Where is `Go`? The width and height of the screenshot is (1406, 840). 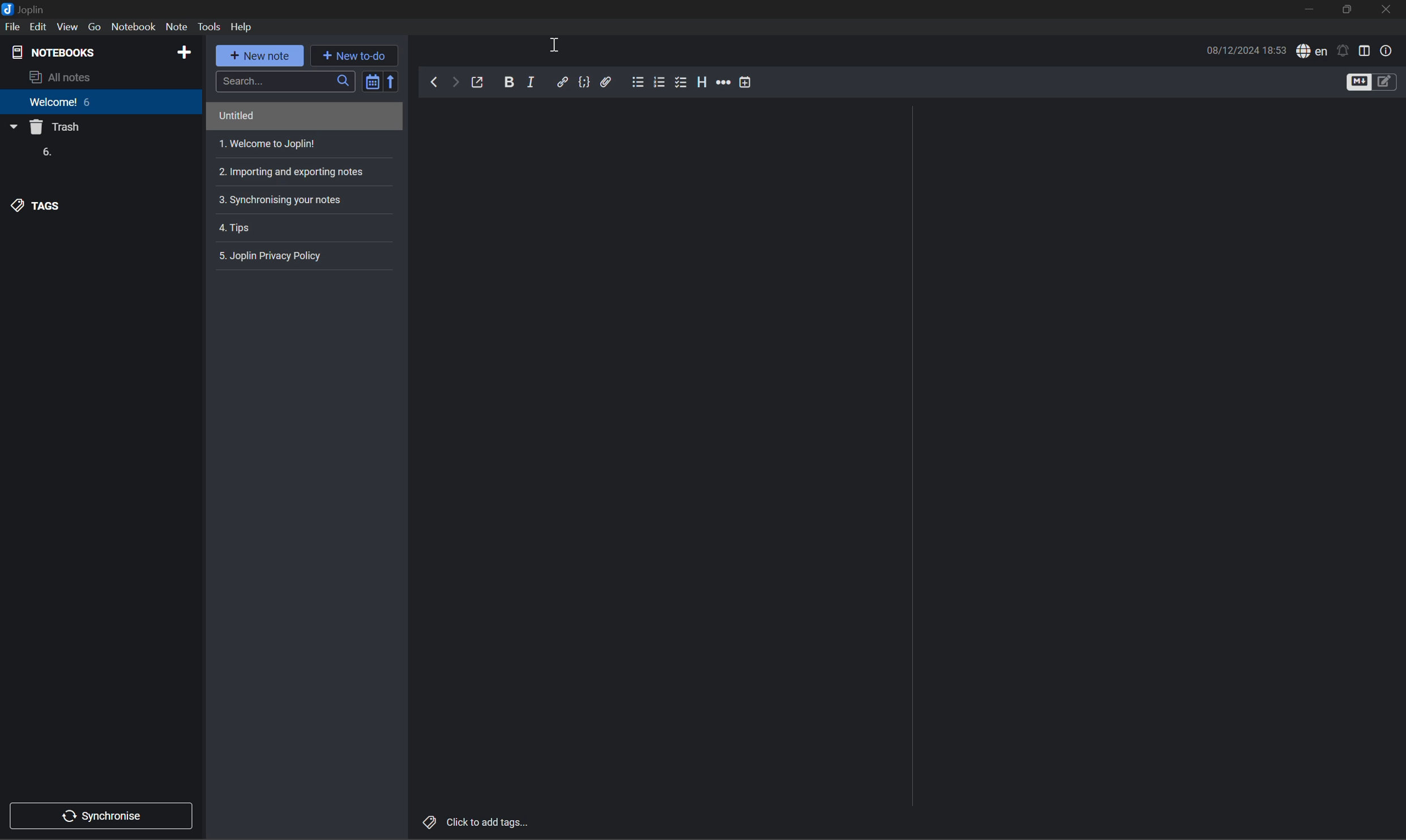
Go is located at coordinates (96, 27).